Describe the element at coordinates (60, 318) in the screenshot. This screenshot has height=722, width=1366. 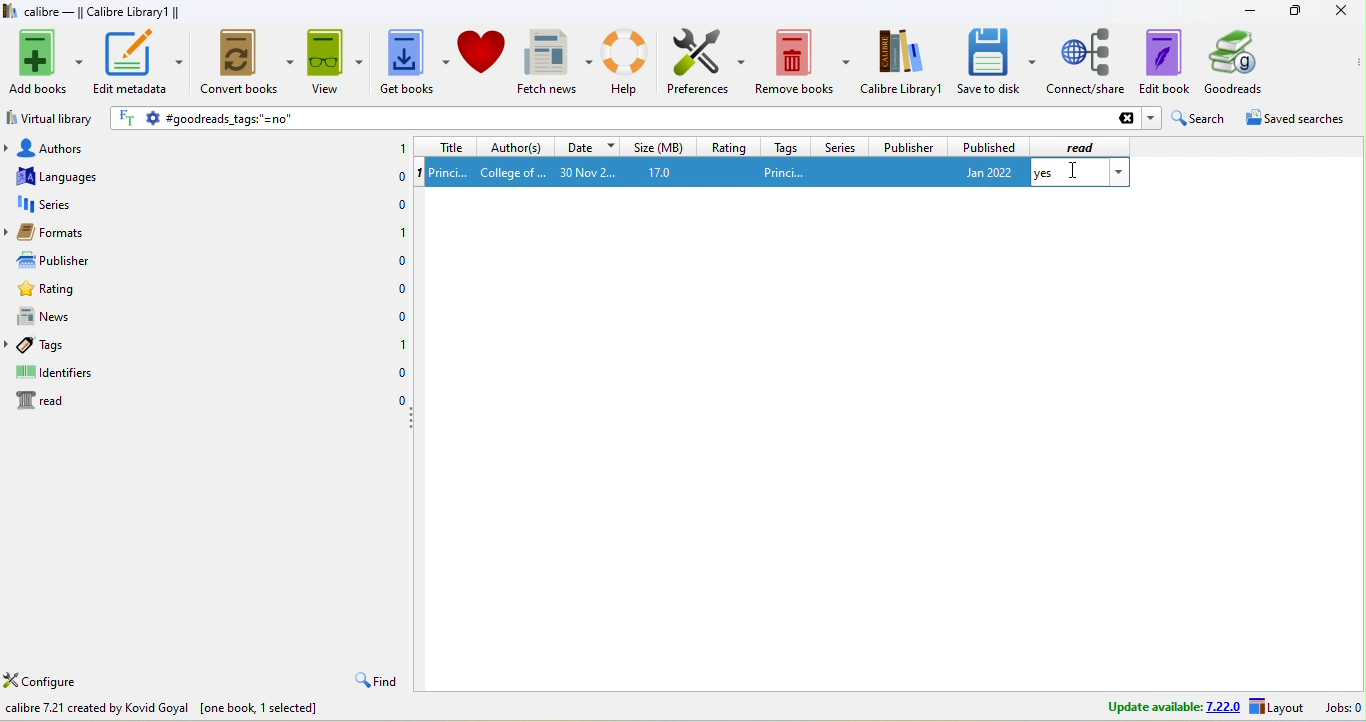
I see `news` at that location.